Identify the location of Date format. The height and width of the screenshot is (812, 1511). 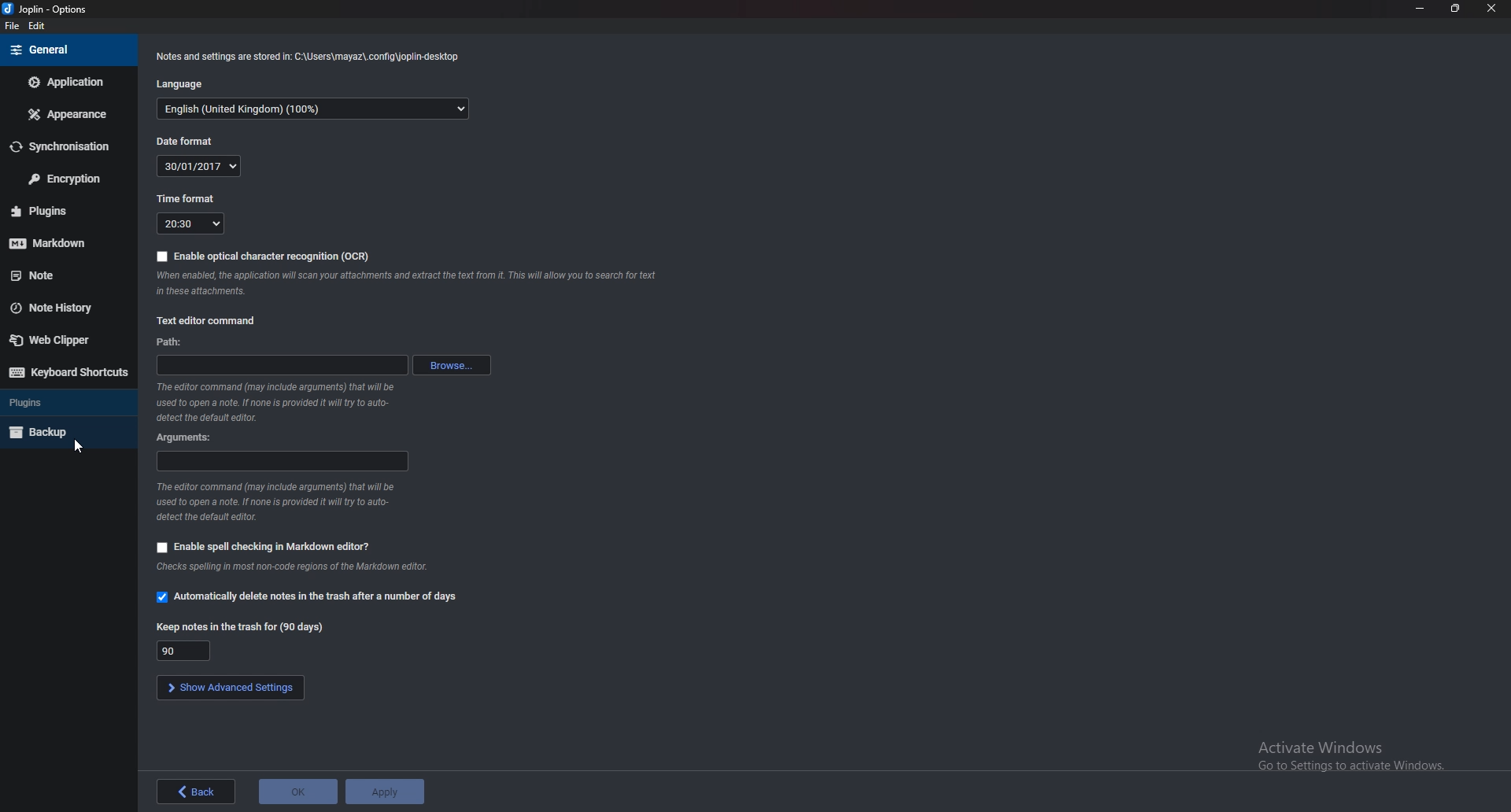
(197, 165).